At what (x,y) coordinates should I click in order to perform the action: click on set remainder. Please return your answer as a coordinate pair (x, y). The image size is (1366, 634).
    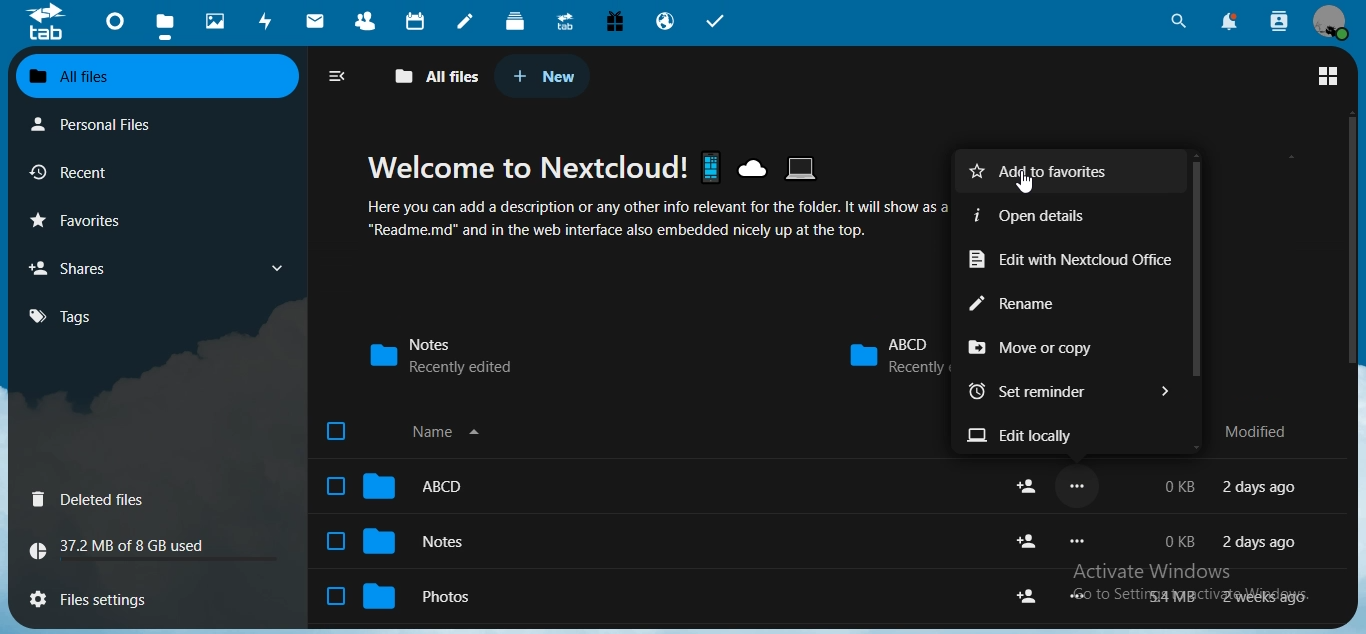
    Looking at the image, I should click on (1030, 389).